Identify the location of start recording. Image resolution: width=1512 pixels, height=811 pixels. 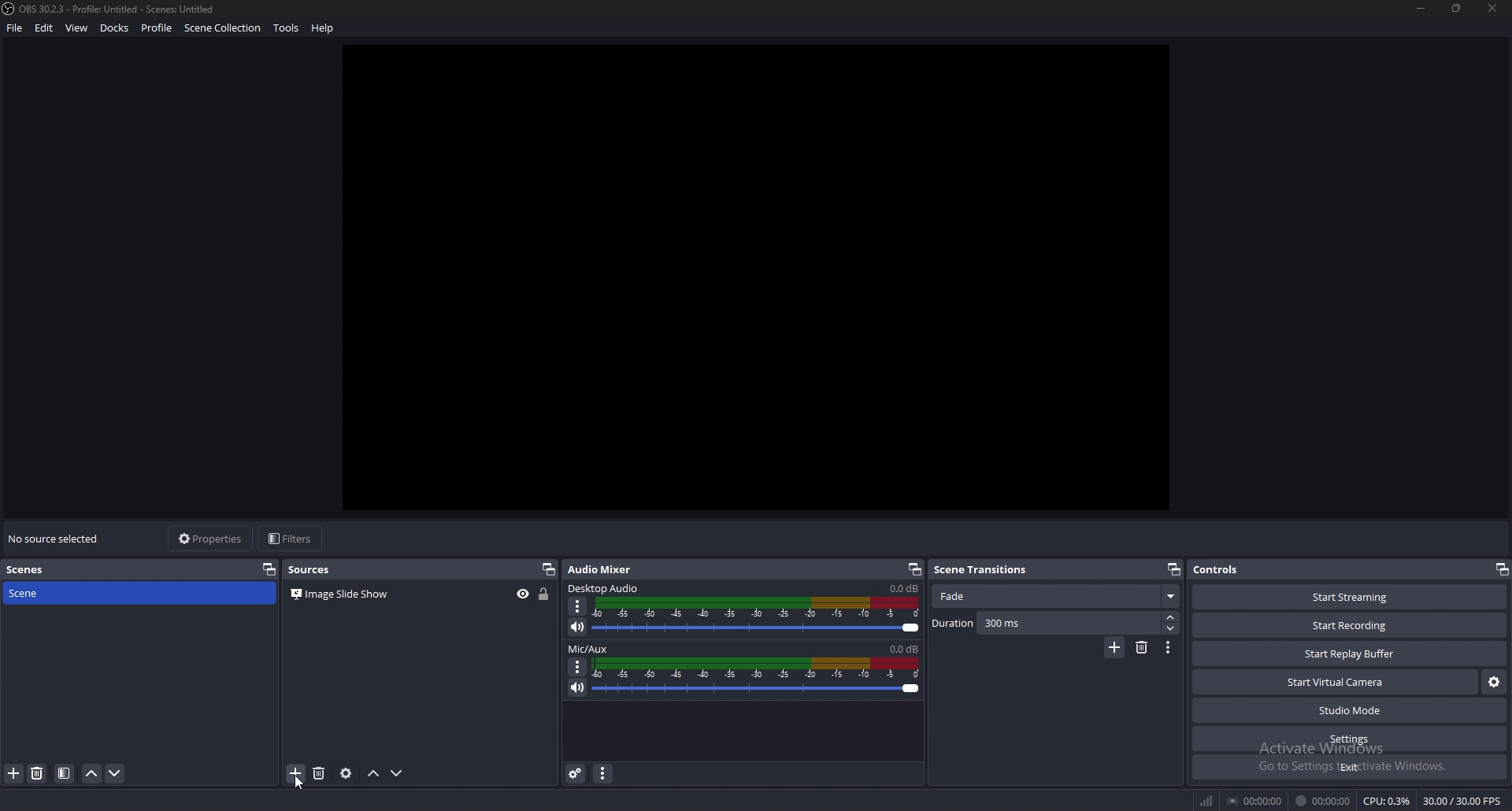
(1350, 625).